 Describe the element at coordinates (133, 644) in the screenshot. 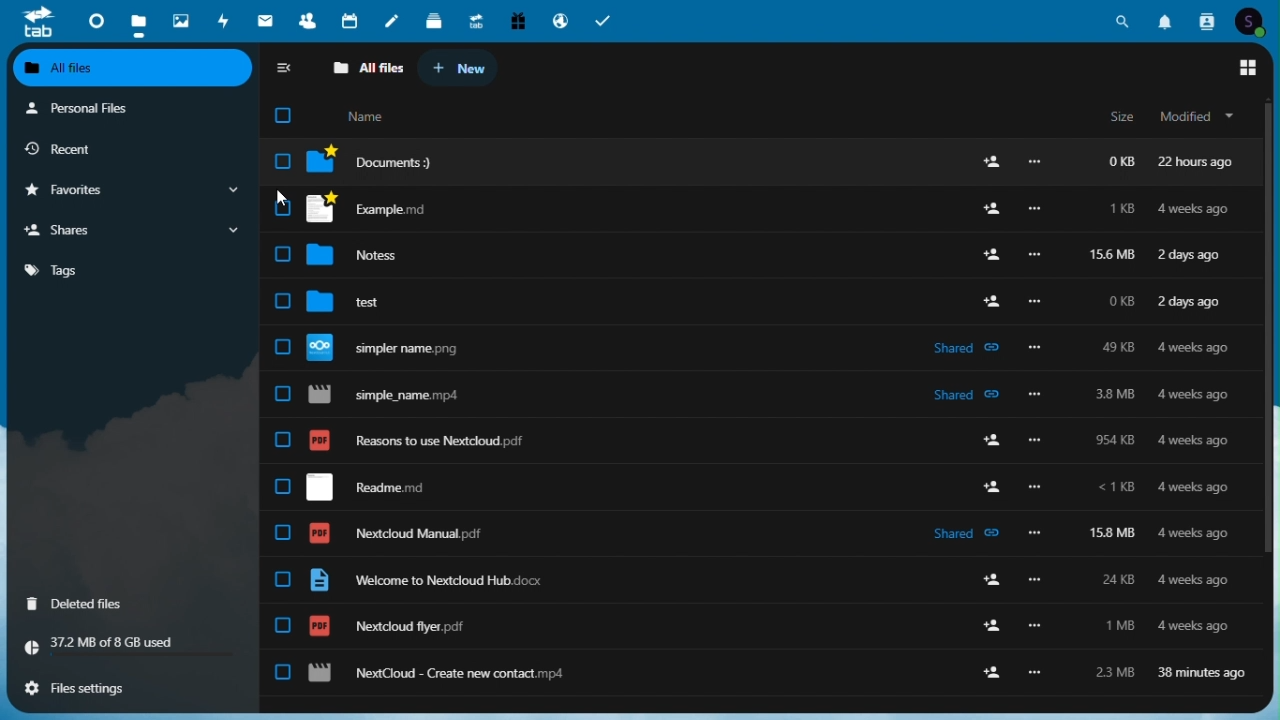

I see `storage` at that location.